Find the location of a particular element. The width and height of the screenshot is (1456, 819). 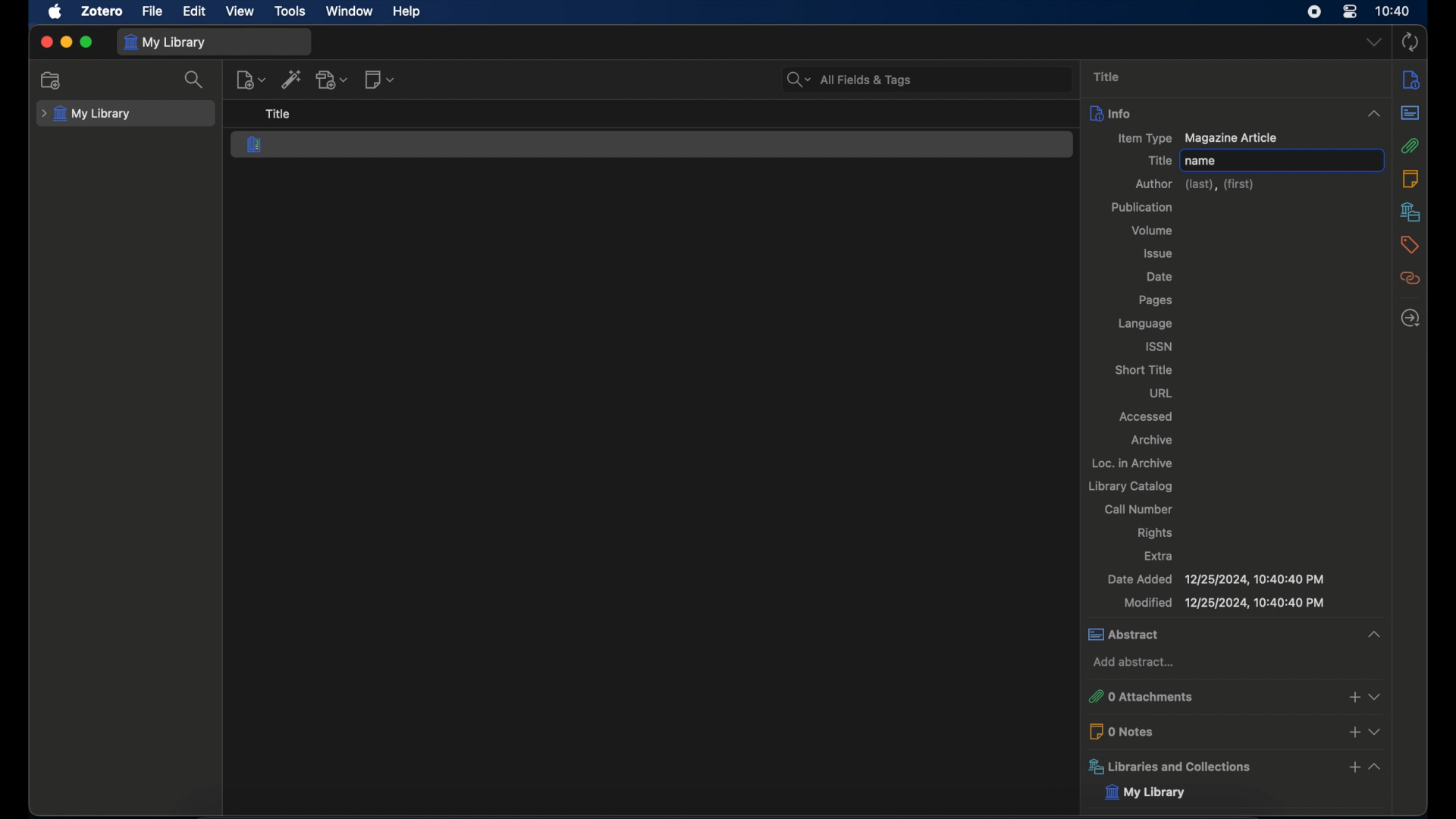

issn is located at coordinates (1159, 346).